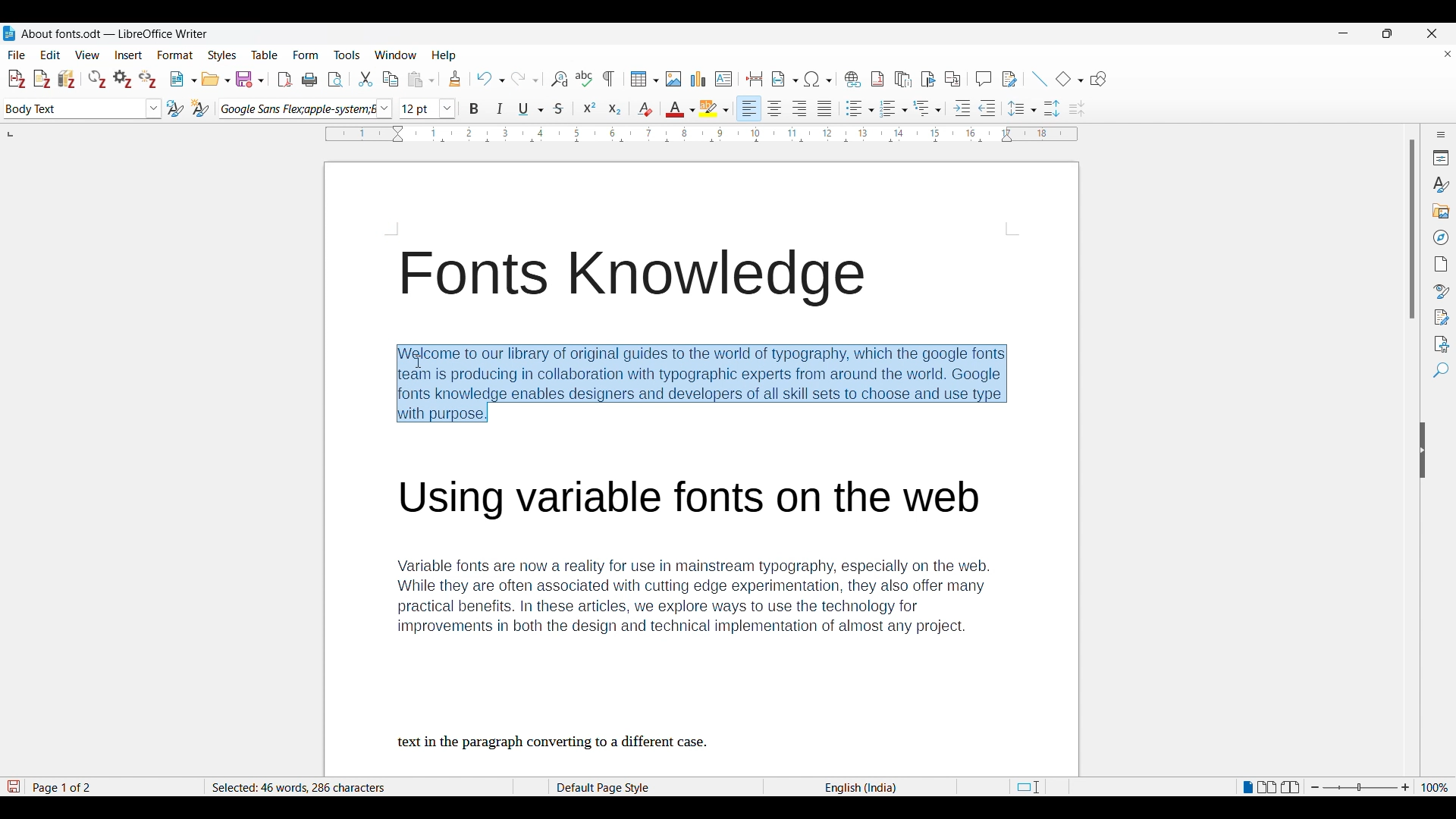  Describe the element at coordinates (1442, 264) in the screenshot. I see `Page` at that location.